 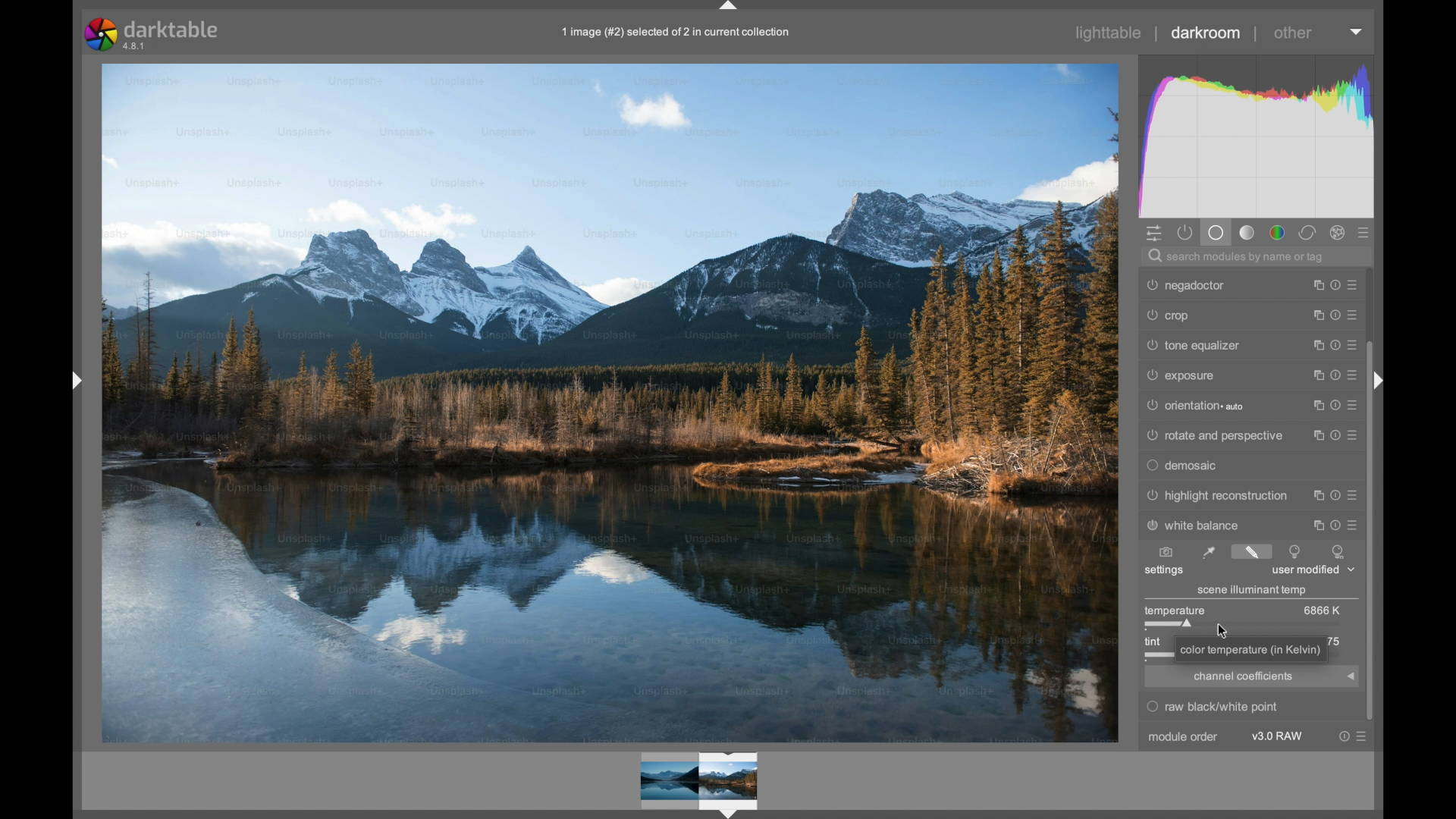 I want to click on Drag handle, so click(x=73, y=378).